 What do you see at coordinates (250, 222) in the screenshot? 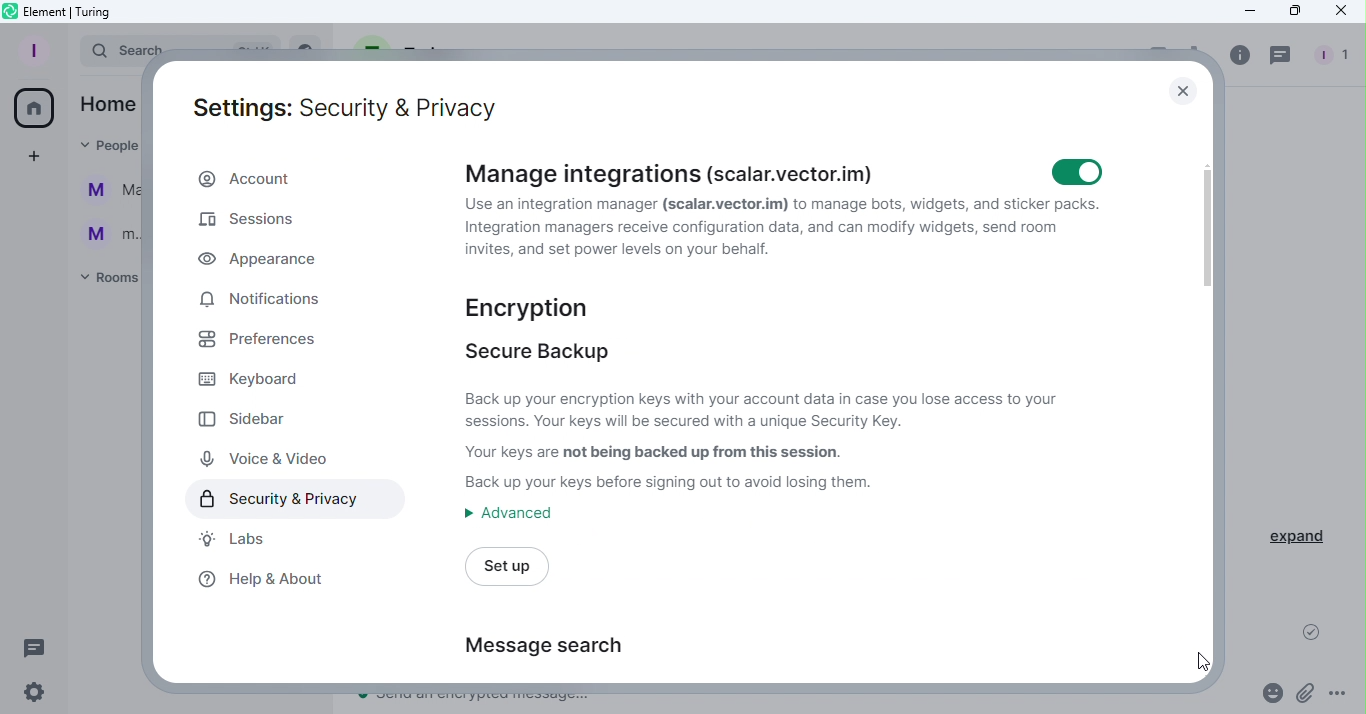
I see `Sessions` at bounding box center [250, 222].